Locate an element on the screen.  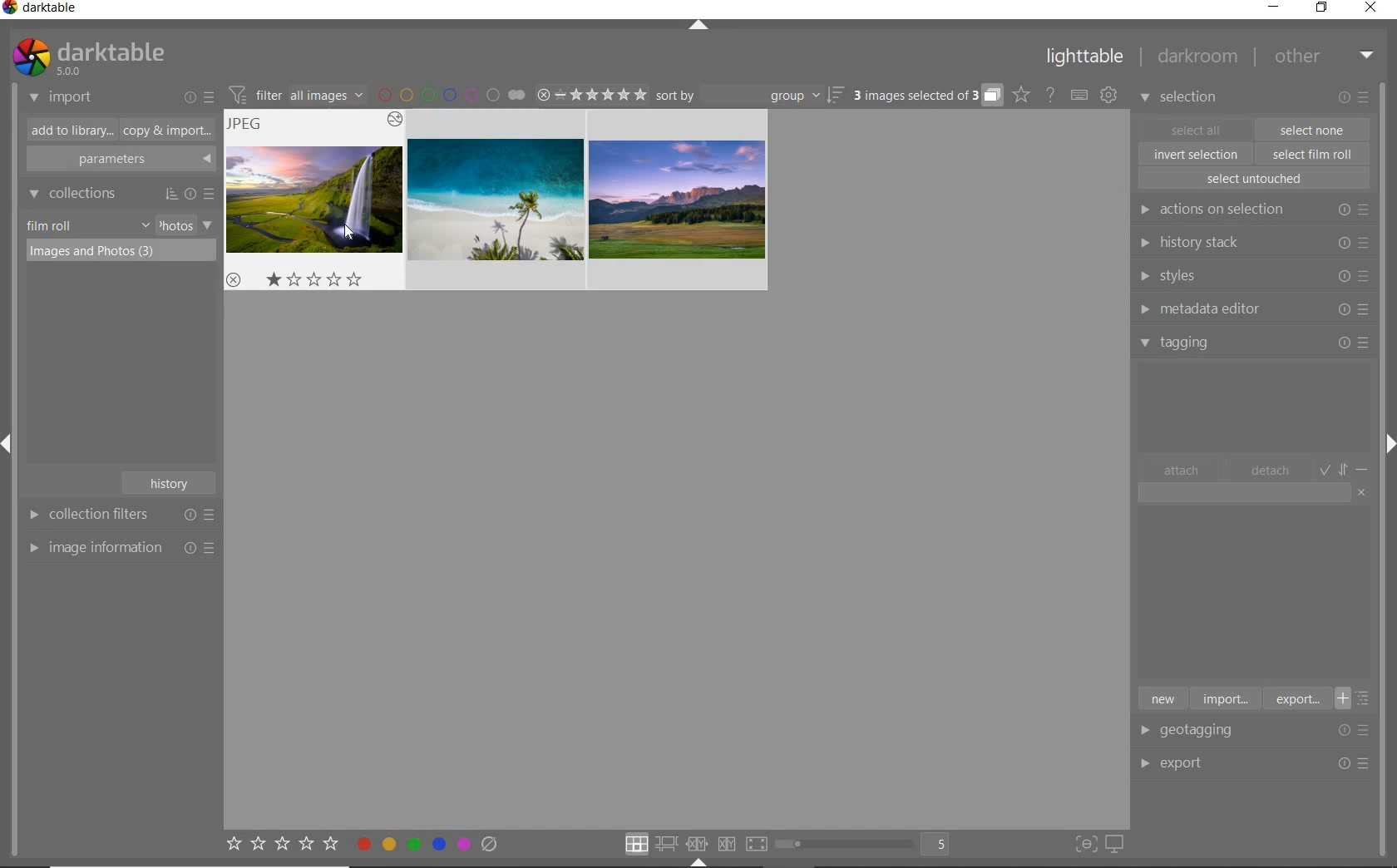
Expand is located at coordinates (1387, 440).